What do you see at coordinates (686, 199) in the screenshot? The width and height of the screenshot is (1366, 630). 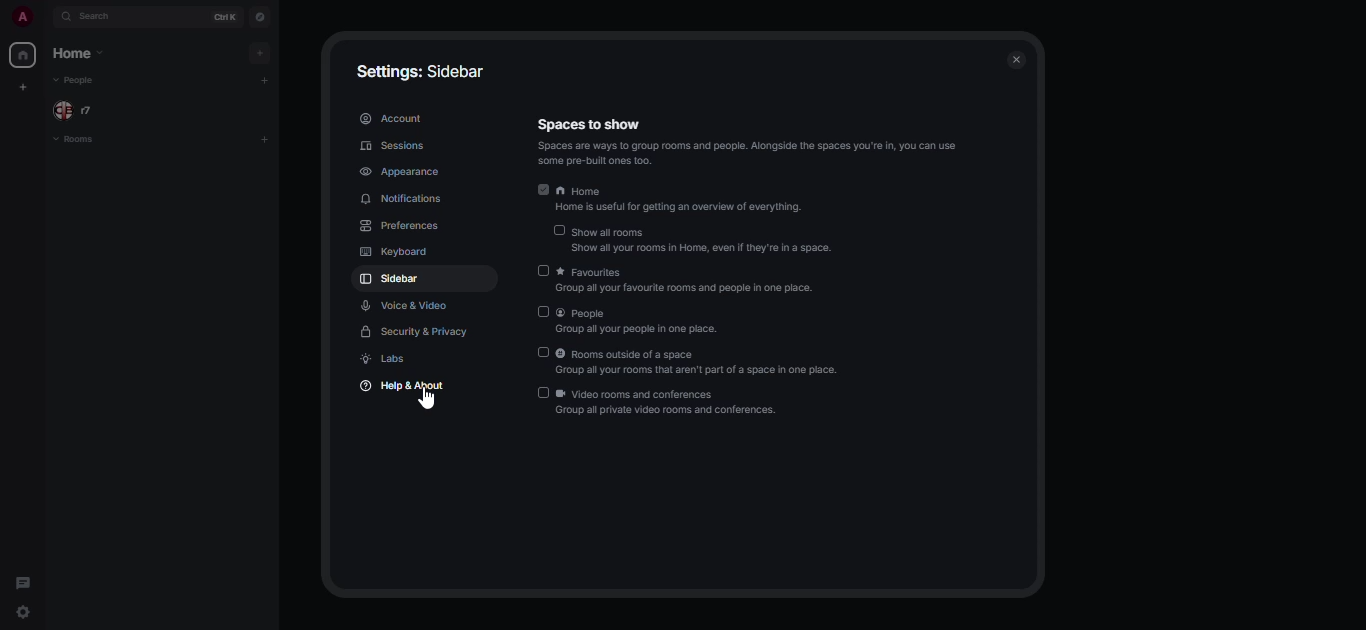 I see `home home is useful for getting an overview of everything` at bounding box center [686, 199].